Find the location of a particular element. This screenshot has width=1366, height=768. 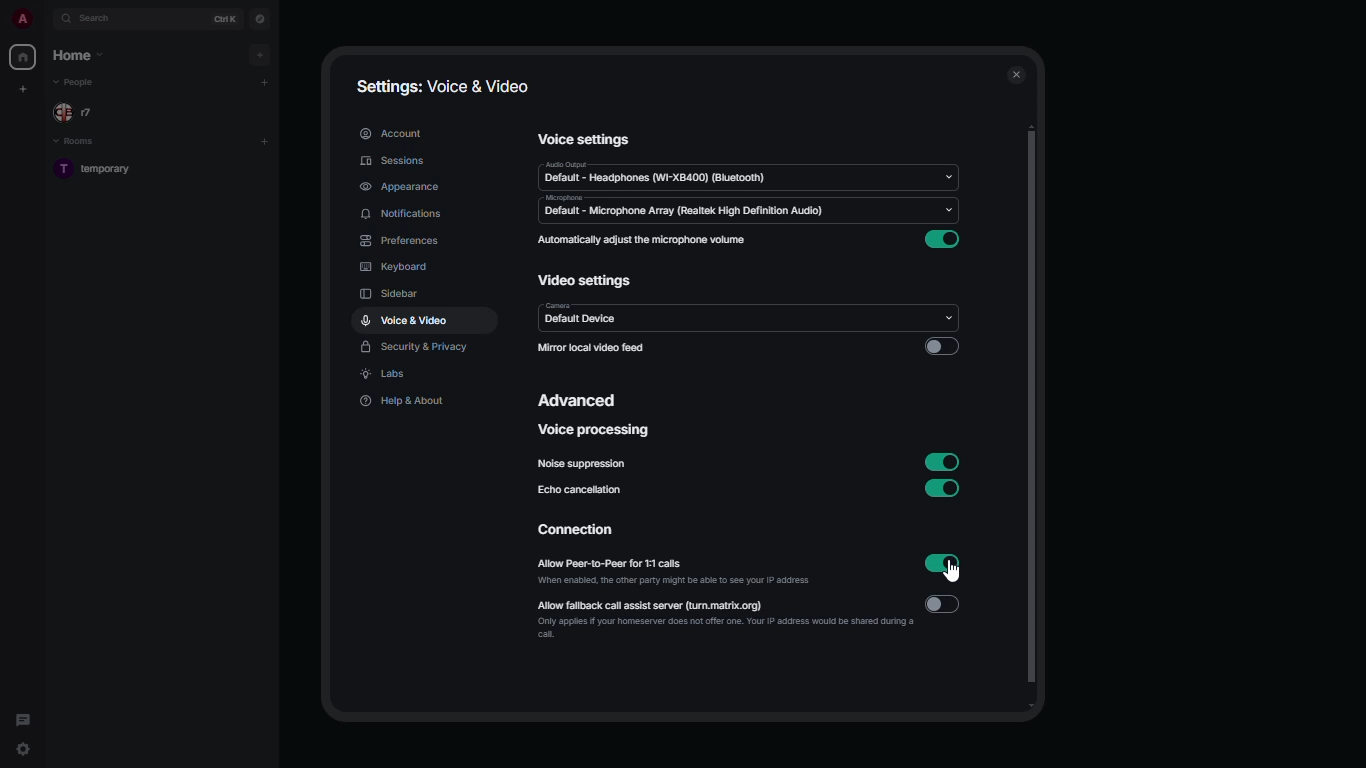

allow peer-to-peer for 1:1 calls is located at coordinates (640, 566).